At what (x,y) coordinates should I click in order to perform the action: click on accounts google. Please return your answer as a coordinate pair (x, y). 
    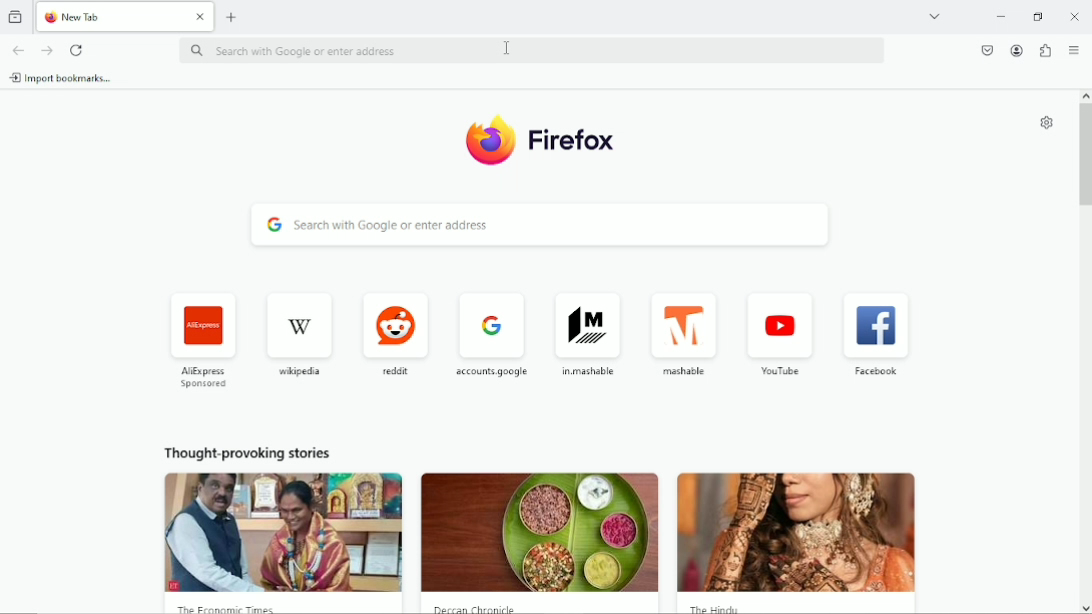
    Looking at the image, I should click on (493, 333).